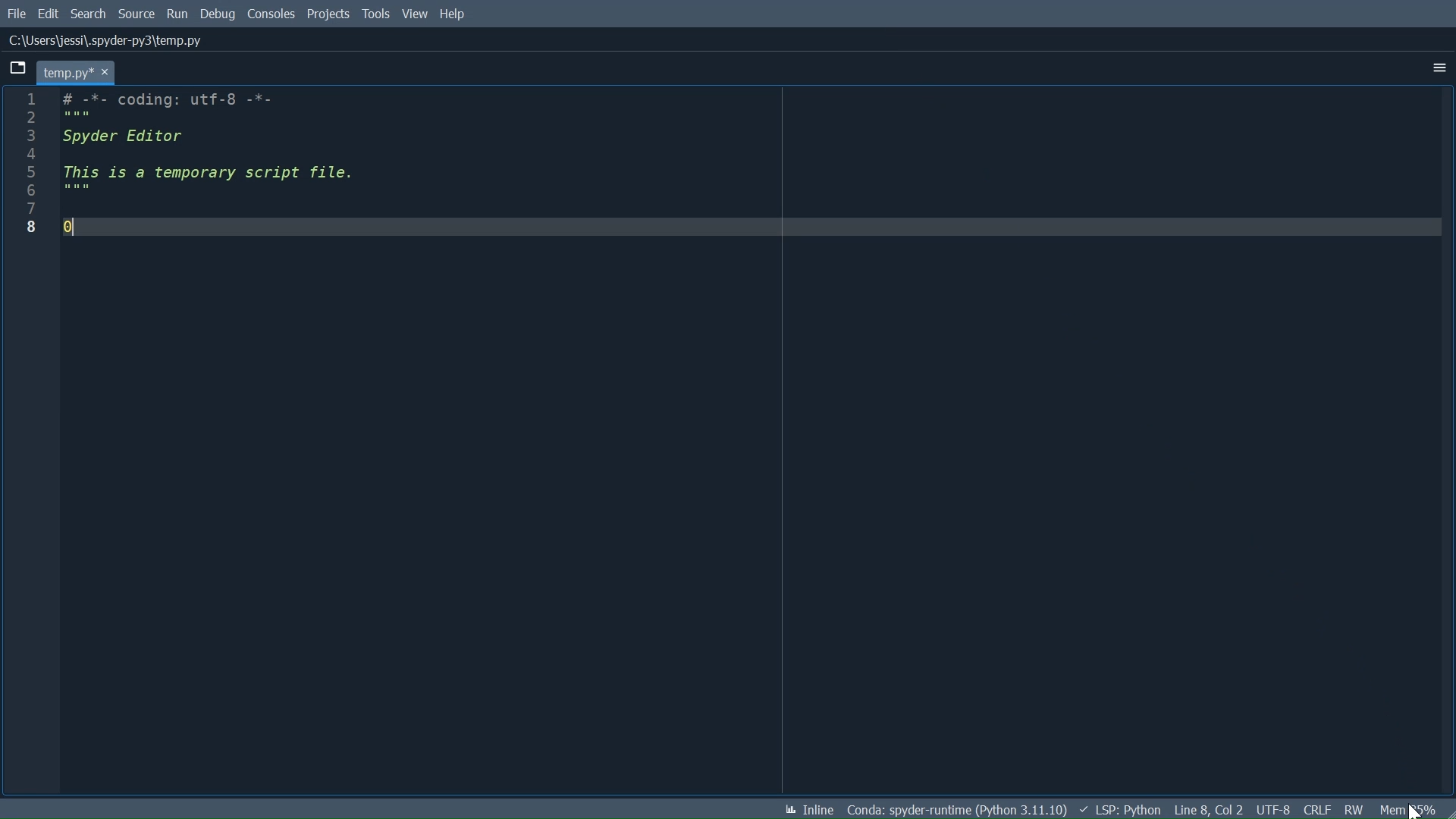  I want to click on Projects, so click(329, 14).